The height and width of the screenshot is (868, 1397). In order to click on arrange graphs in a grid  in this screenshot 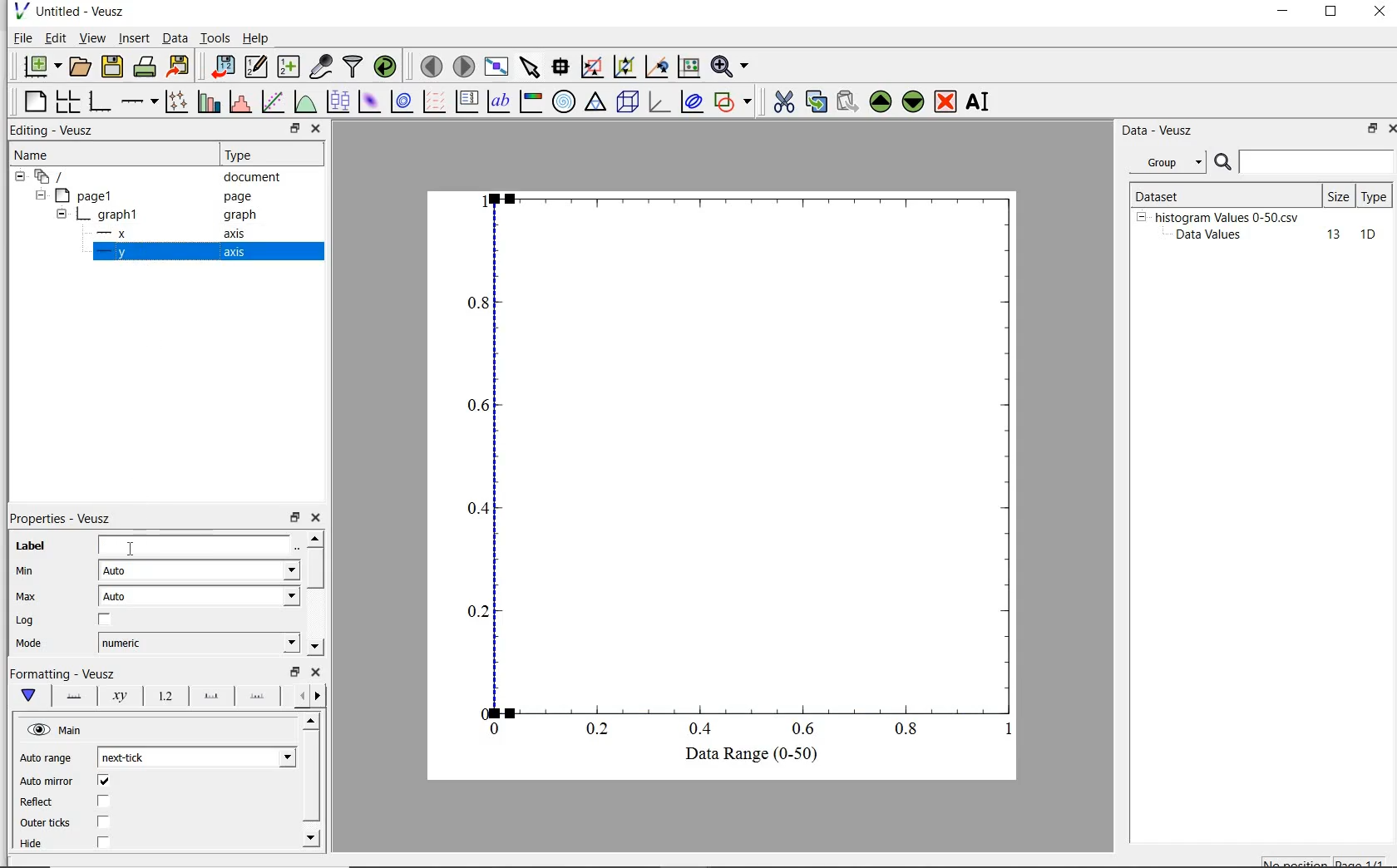, I will do `click(70, 99)`.